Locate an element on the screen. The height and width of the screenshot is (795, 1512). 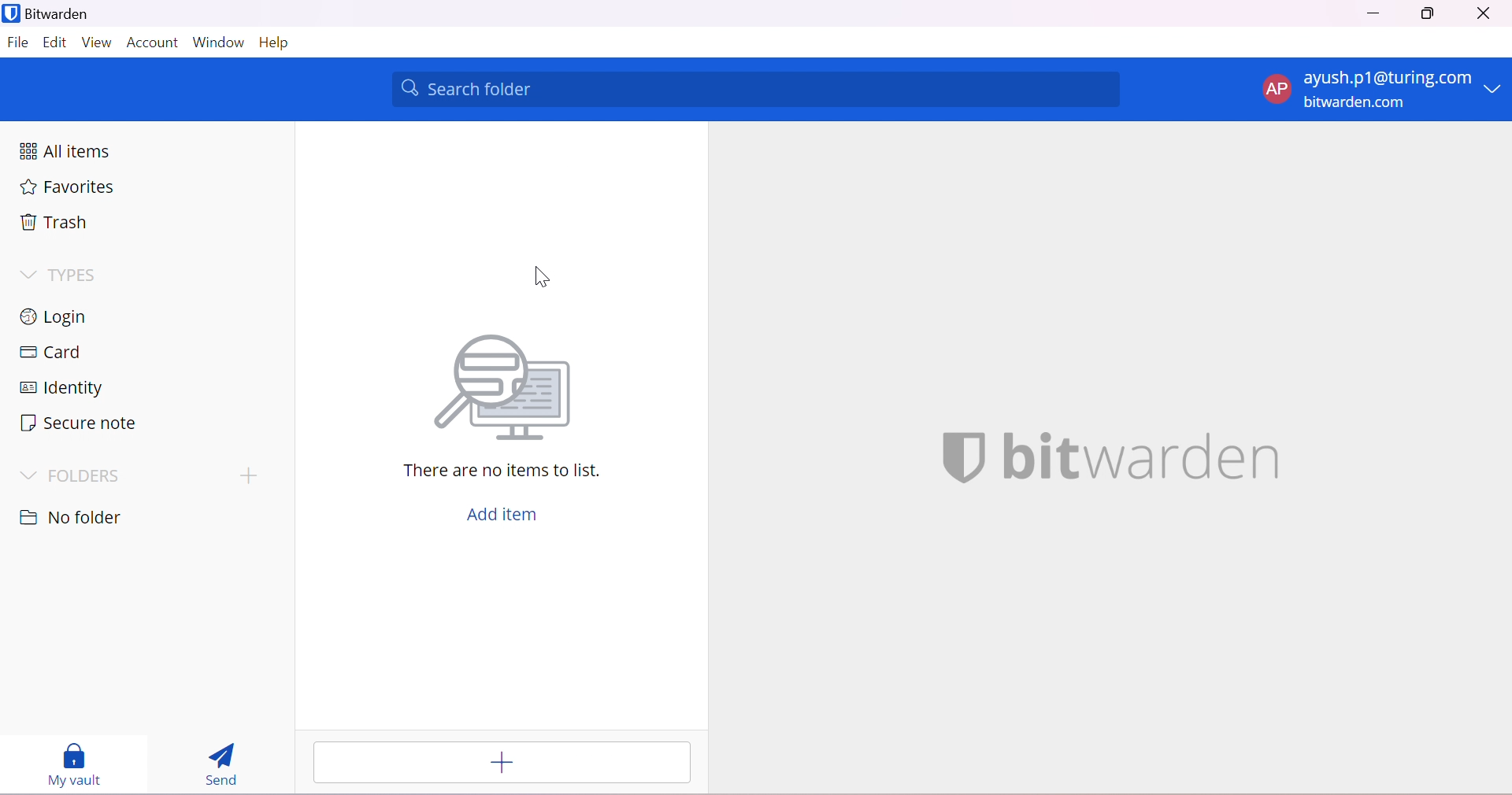
Drop Down is located at coordinates (27, 275).